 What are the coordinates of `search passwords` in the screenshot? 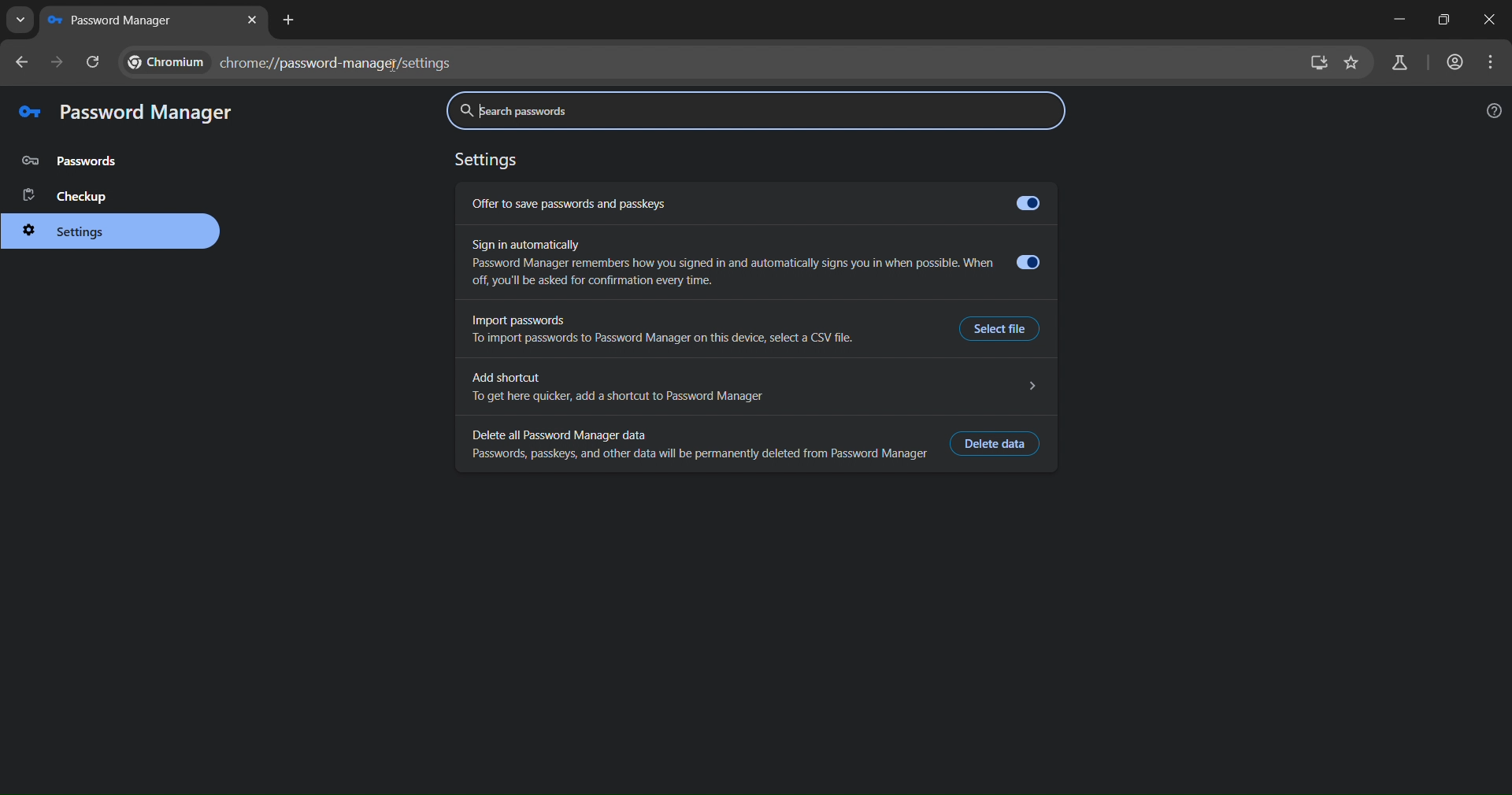 It's located at (754, 110).